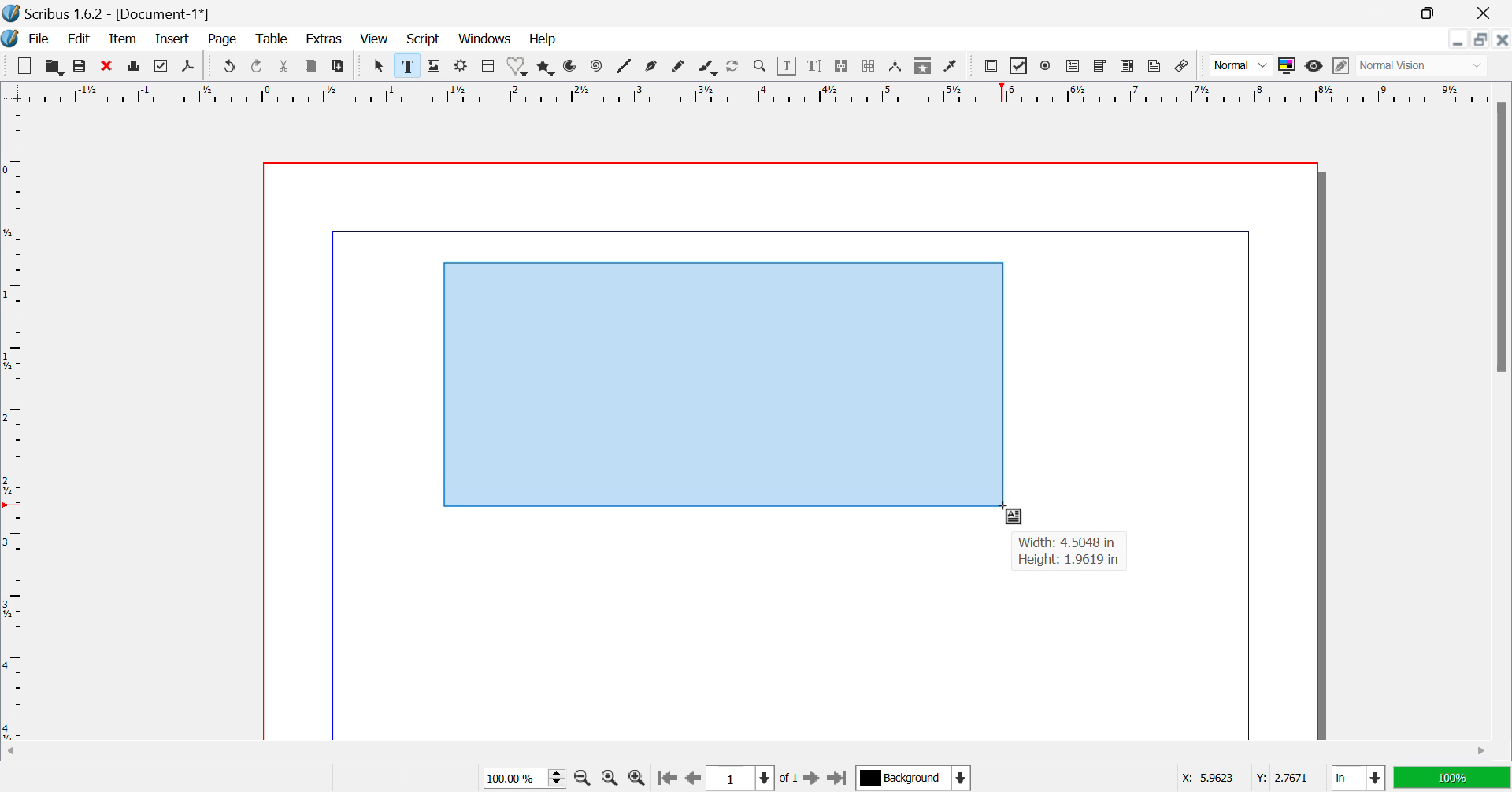 This screenshot has width=1512, height=792. Describe the element at coordinates (752, 94) in the screenshot. I see `Vertical Page Margins` at that location.